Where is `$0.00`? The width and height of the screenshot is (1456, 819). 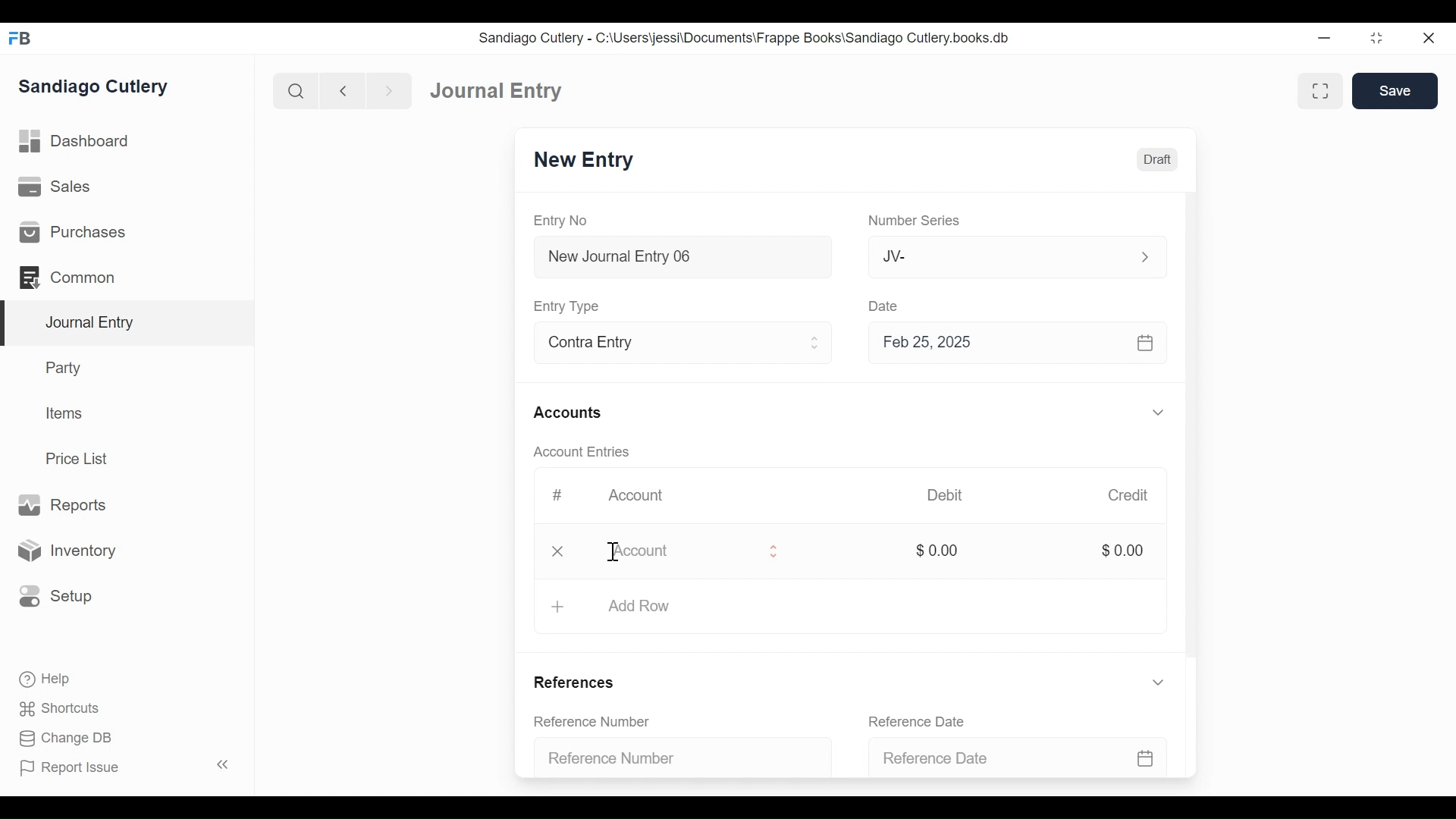
$0.00 is located at coordinates (1122, 549).